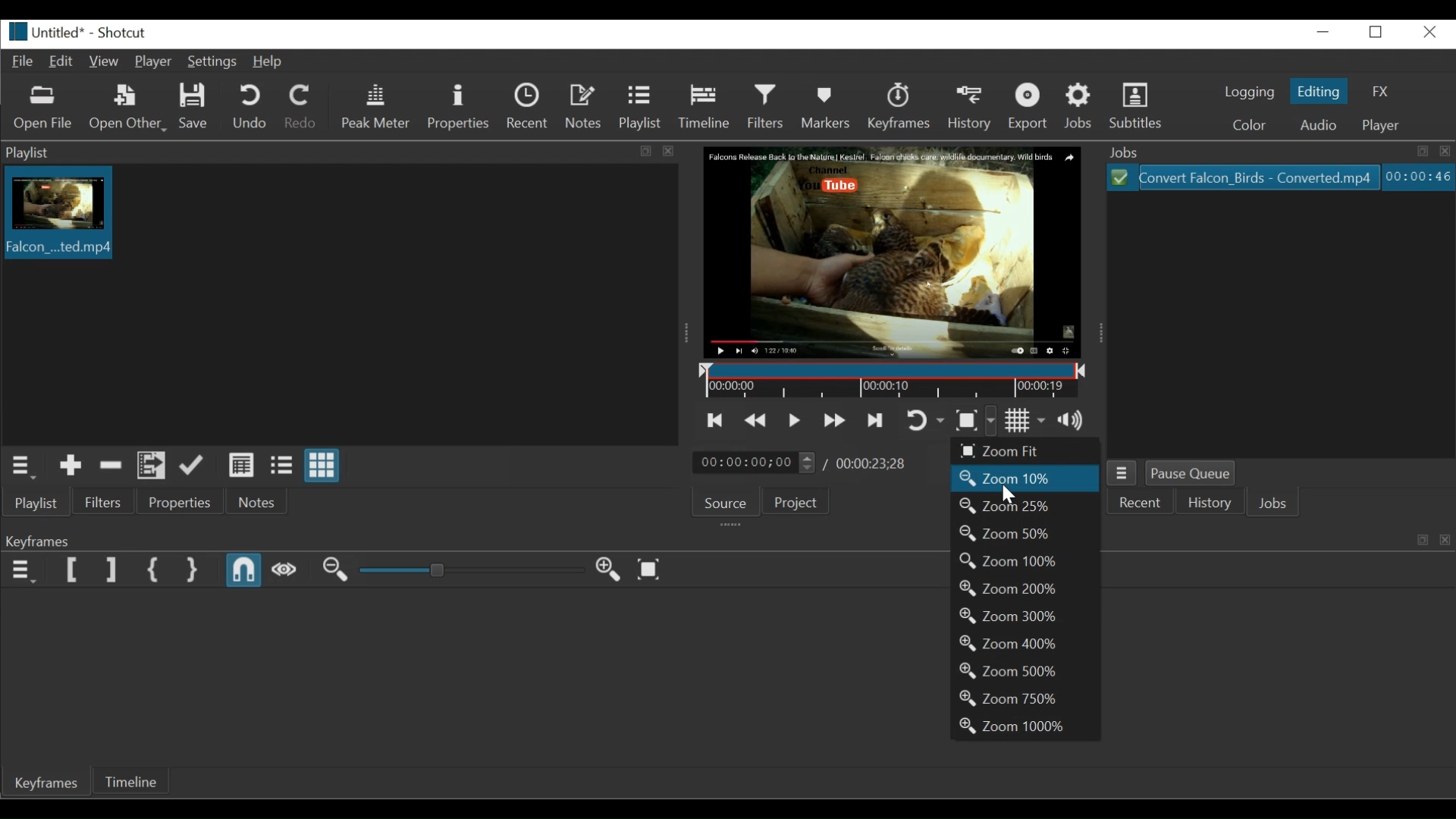 The image size is (1456, 819). Describe the element at coordinates (121, 32) in the screenshot. I see `Shotcut` at that location.